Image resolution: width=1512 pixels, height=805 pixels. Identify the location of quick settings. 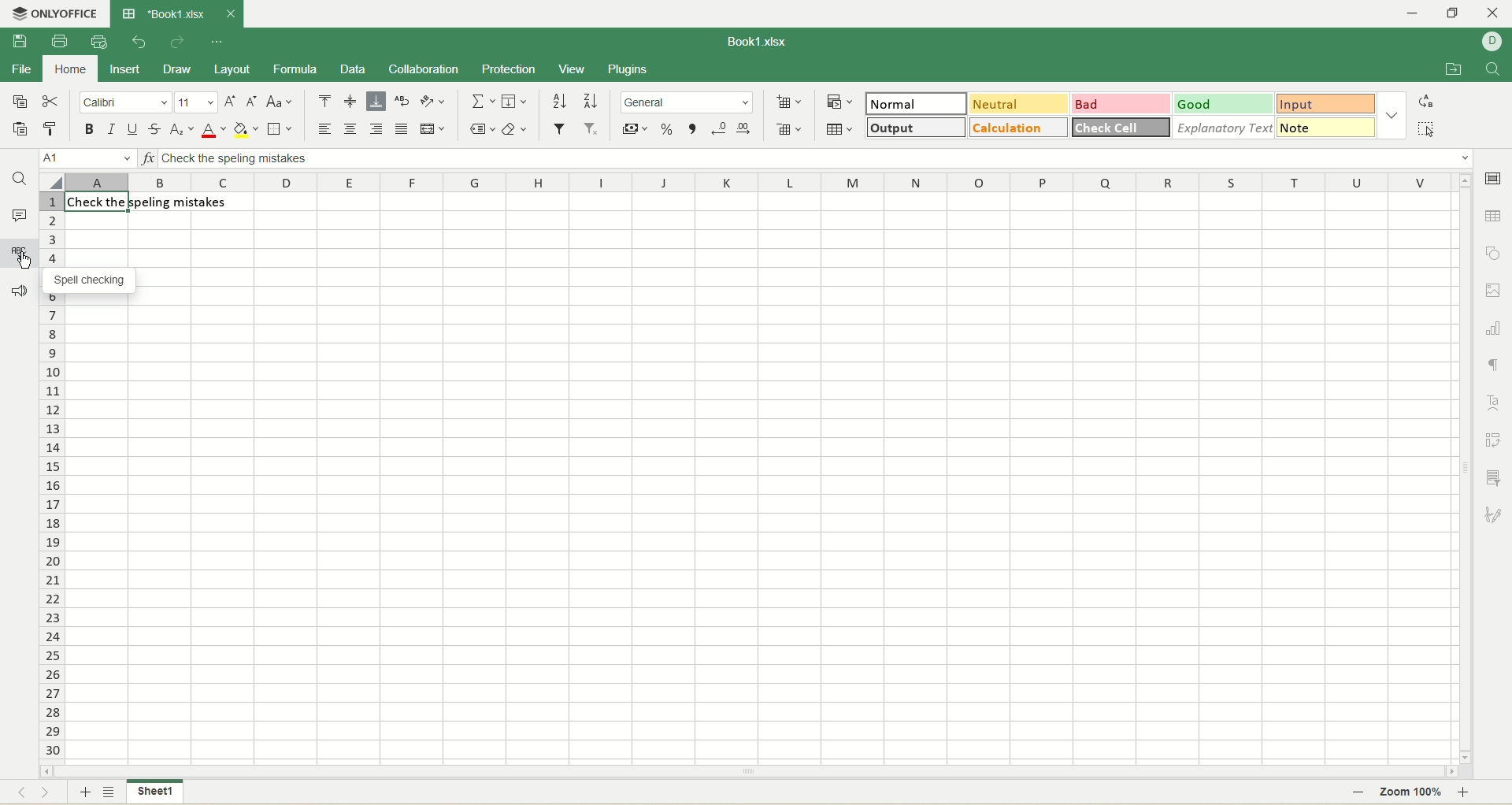
(220, 41).